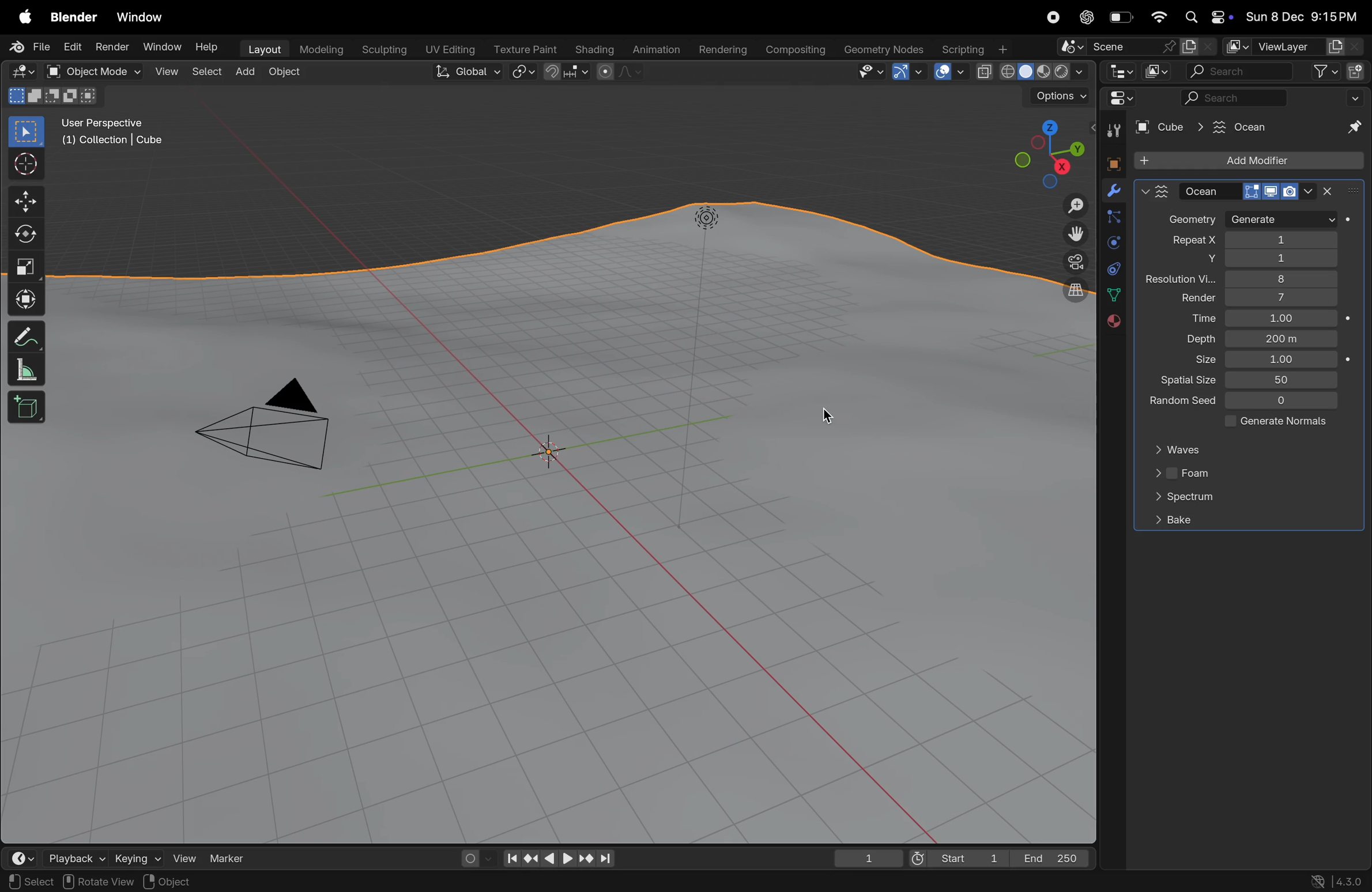 This screenshot has height=892, width=1372. I want to click on foam, so click(1183, 475).